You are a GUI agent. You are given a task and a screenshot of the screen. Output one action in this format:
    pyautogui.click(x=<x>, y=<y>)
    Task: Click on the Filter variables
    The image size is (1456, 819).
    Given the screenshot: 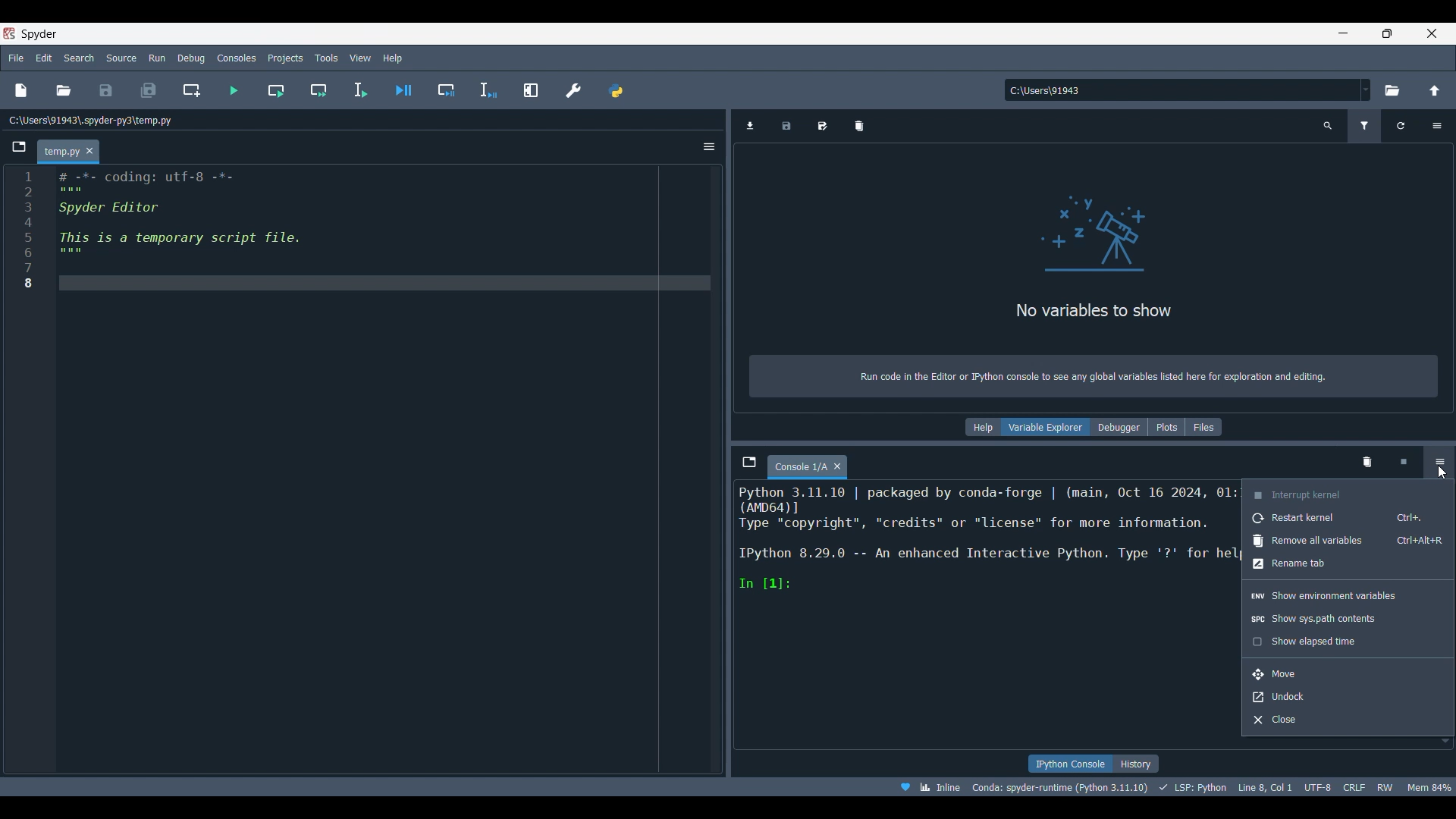 What is the action you would take?
    pyautogui.click(x=1364, y=126)
    